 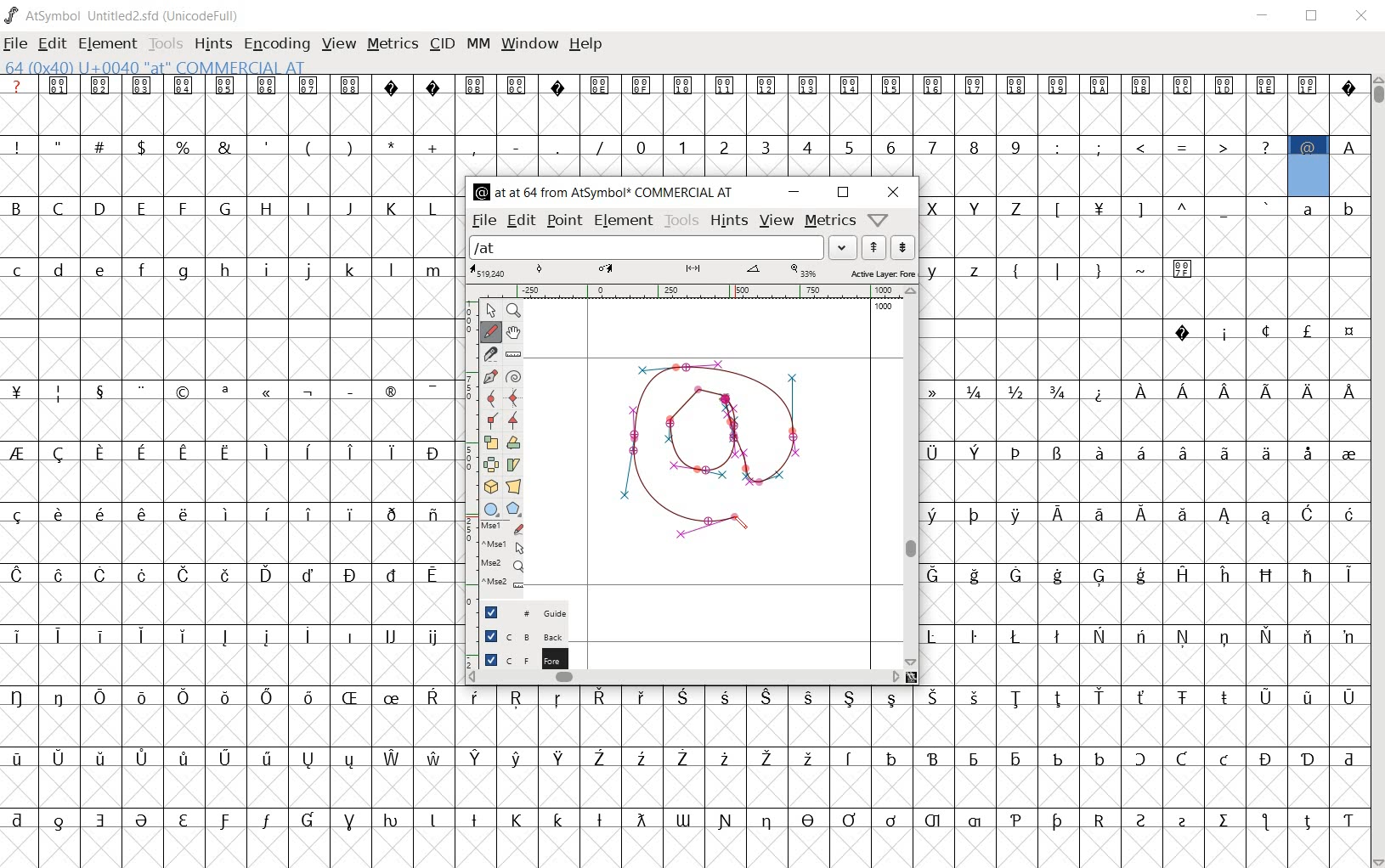 What do you see at coordinates (53, 44) in the screenshot?
I see `EDIT` at bounding box center [53, 44].